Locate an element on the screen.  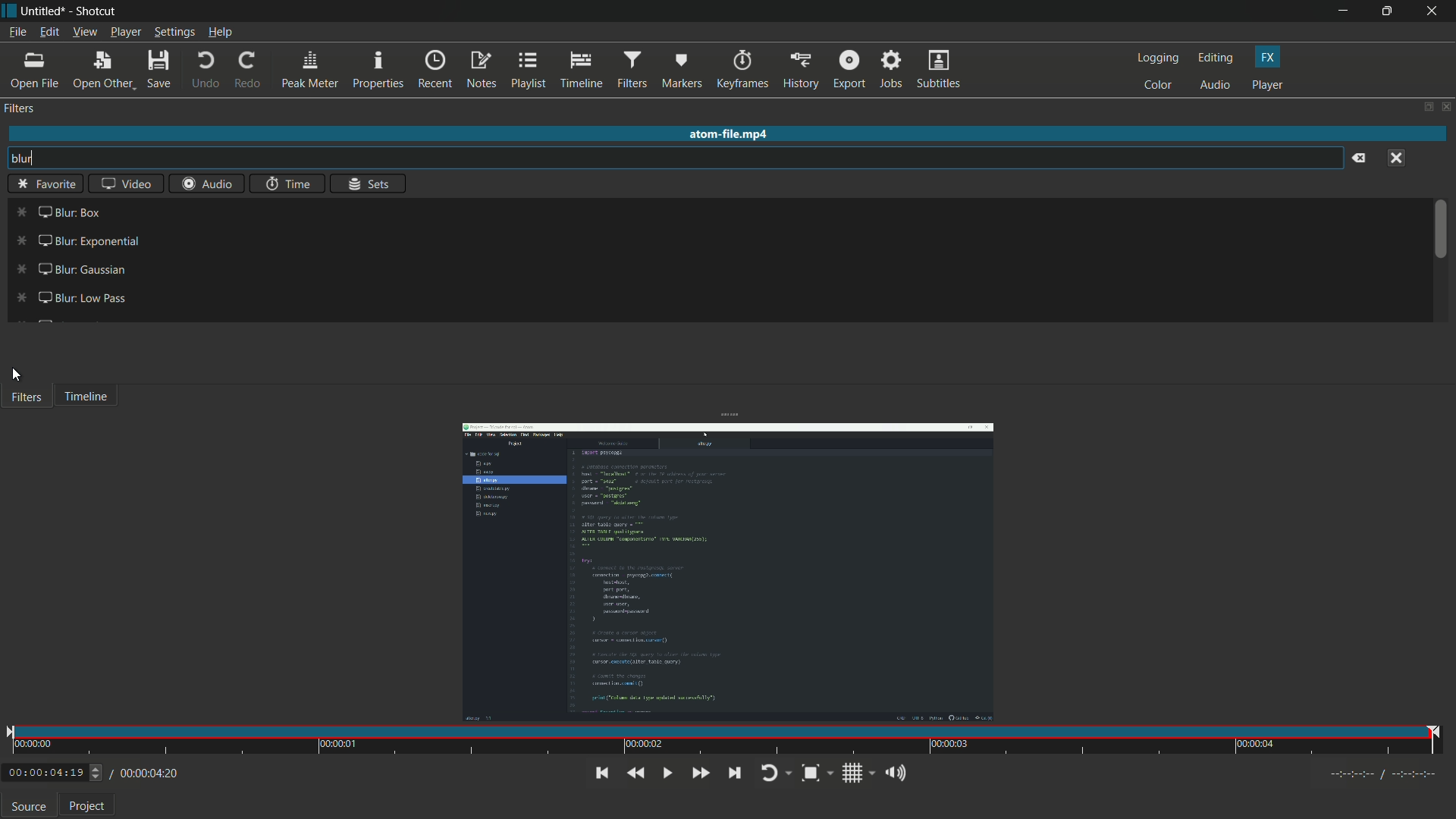
time is located at coordinates (289, 184).